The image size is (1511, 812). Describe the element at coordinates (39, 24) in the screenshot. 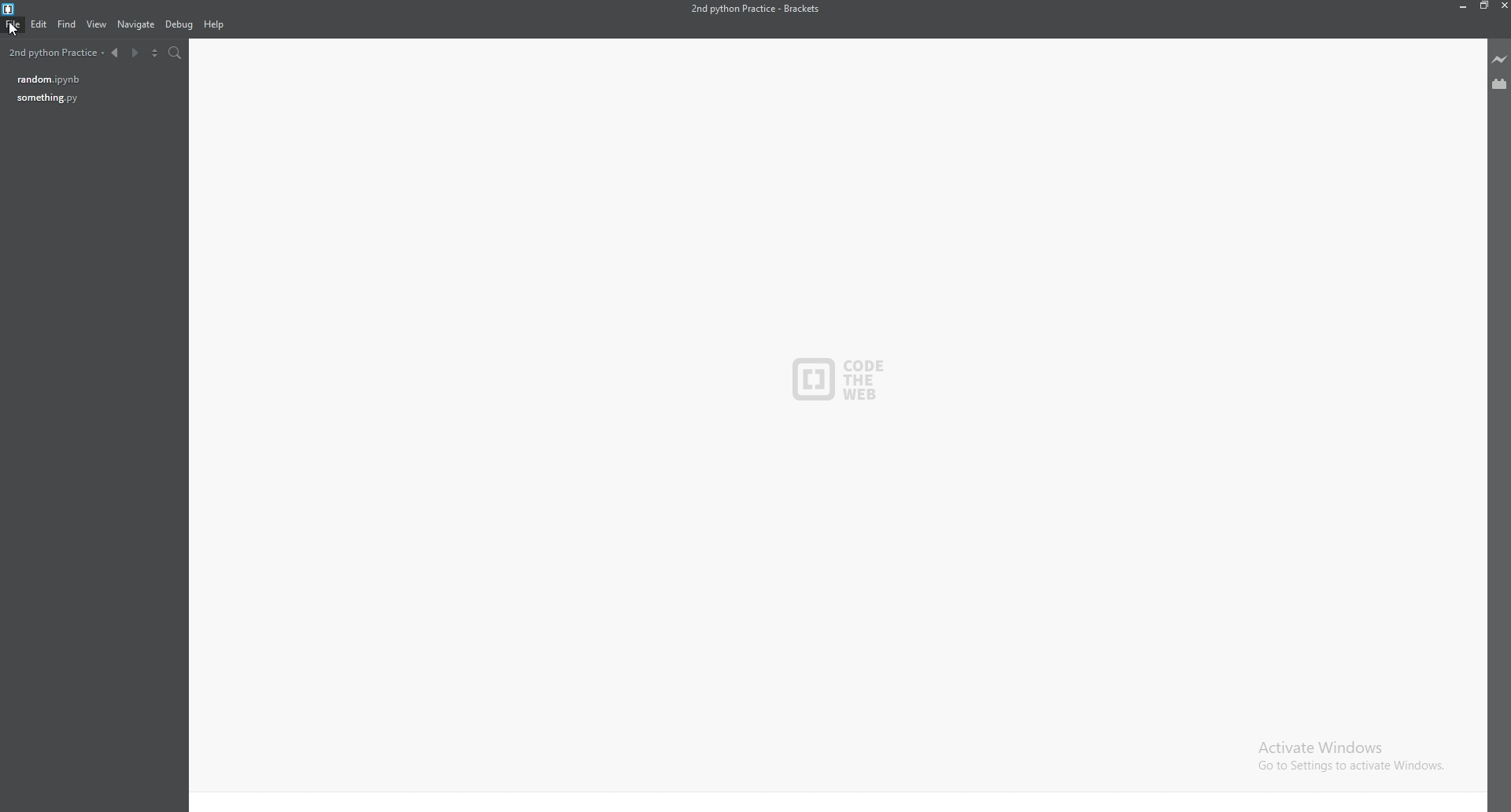

I see `edit` at that location.